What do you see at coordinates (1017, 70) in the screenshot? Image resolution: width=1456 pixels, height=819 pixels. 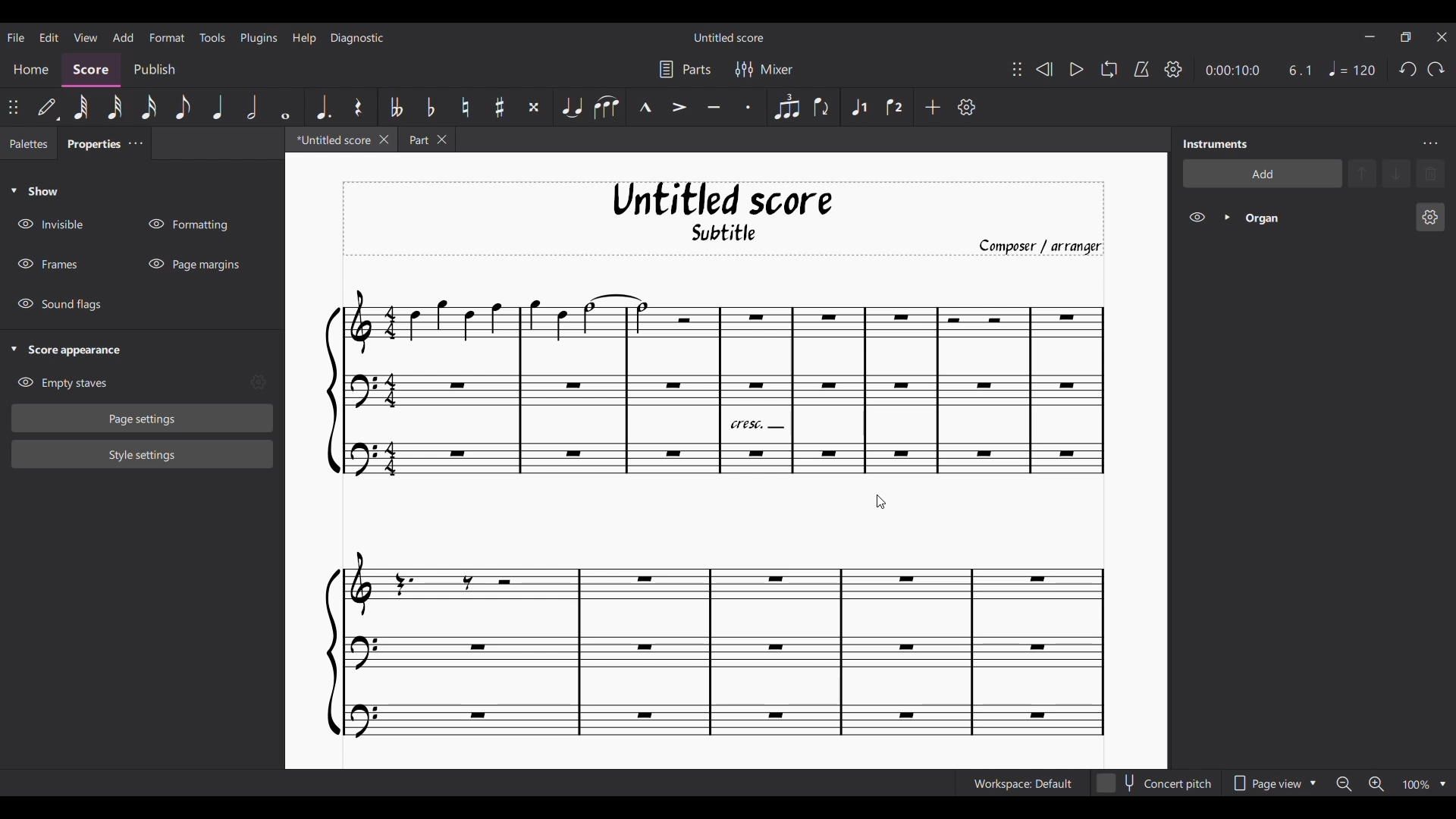 I see `Change position of toolbar attached` at bounding box center [1017, 70].